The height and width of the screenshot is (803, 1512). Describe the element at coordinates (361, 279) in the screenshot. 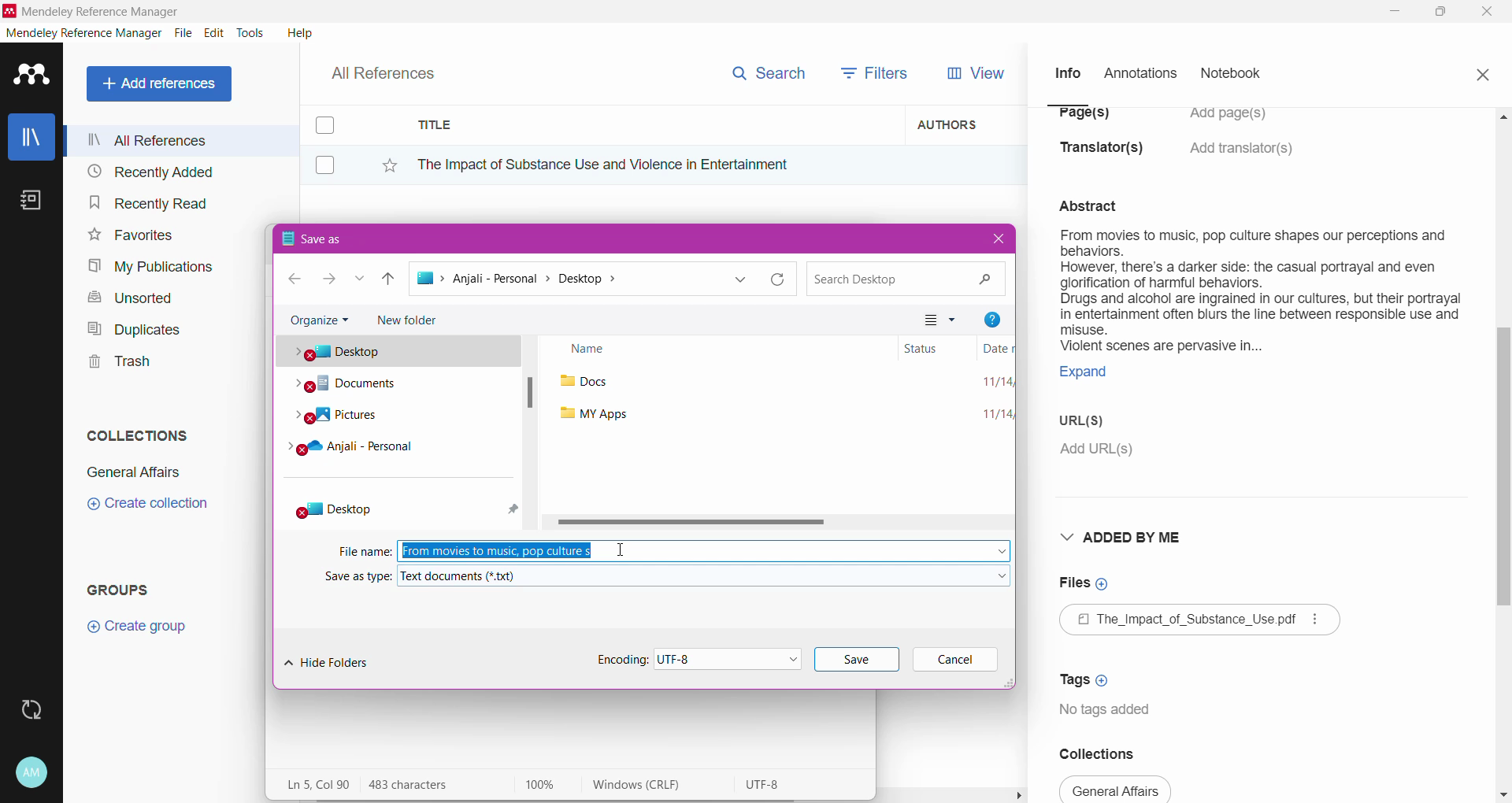

I see `Recent locations` at that location.